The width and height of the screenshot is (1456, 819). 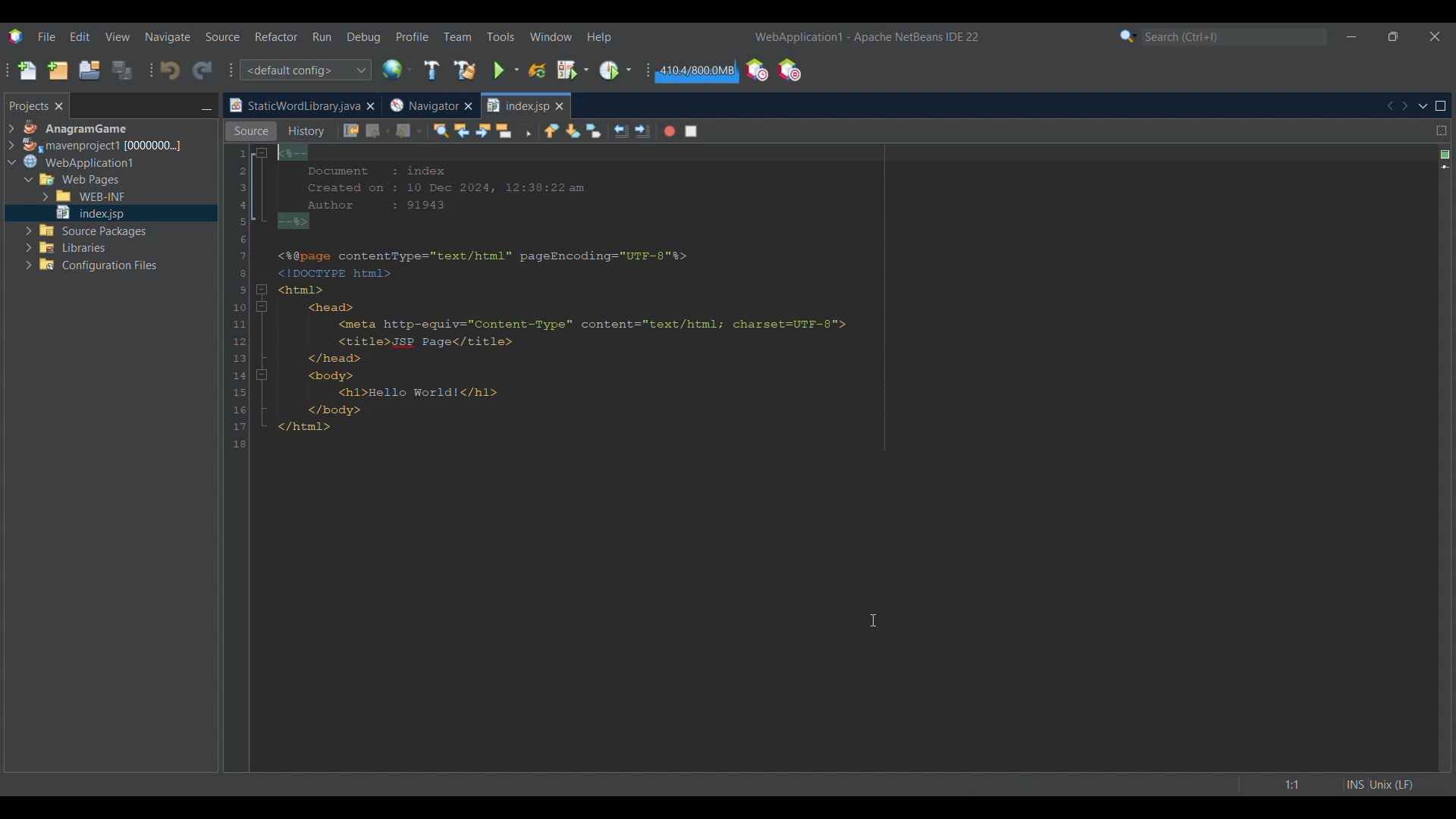 I want to click on Close tab, so click(x=560, y=106).